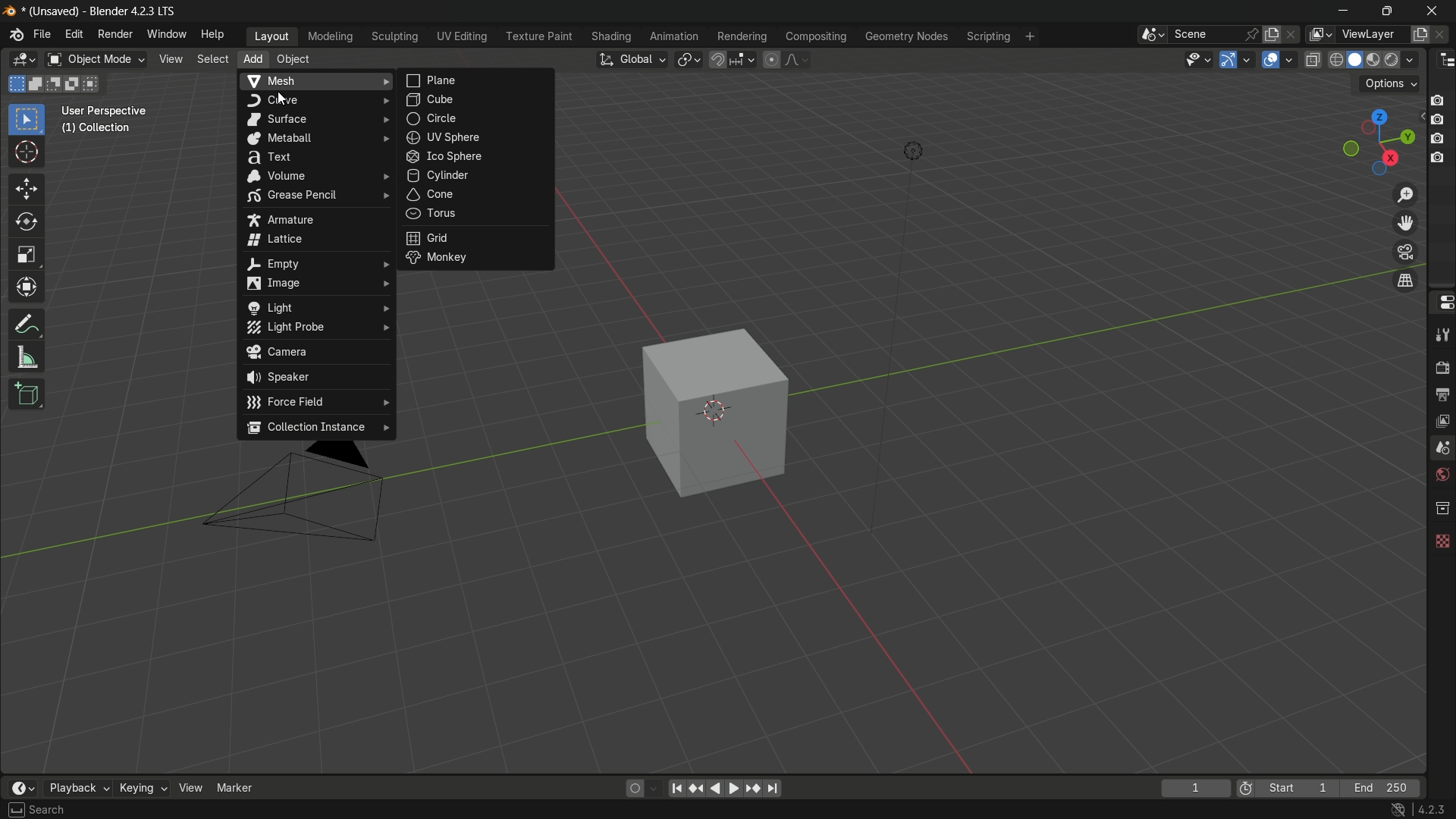  Describe the element at coordinates (95, 59) in the screenshot. I see `object mode` at that location.